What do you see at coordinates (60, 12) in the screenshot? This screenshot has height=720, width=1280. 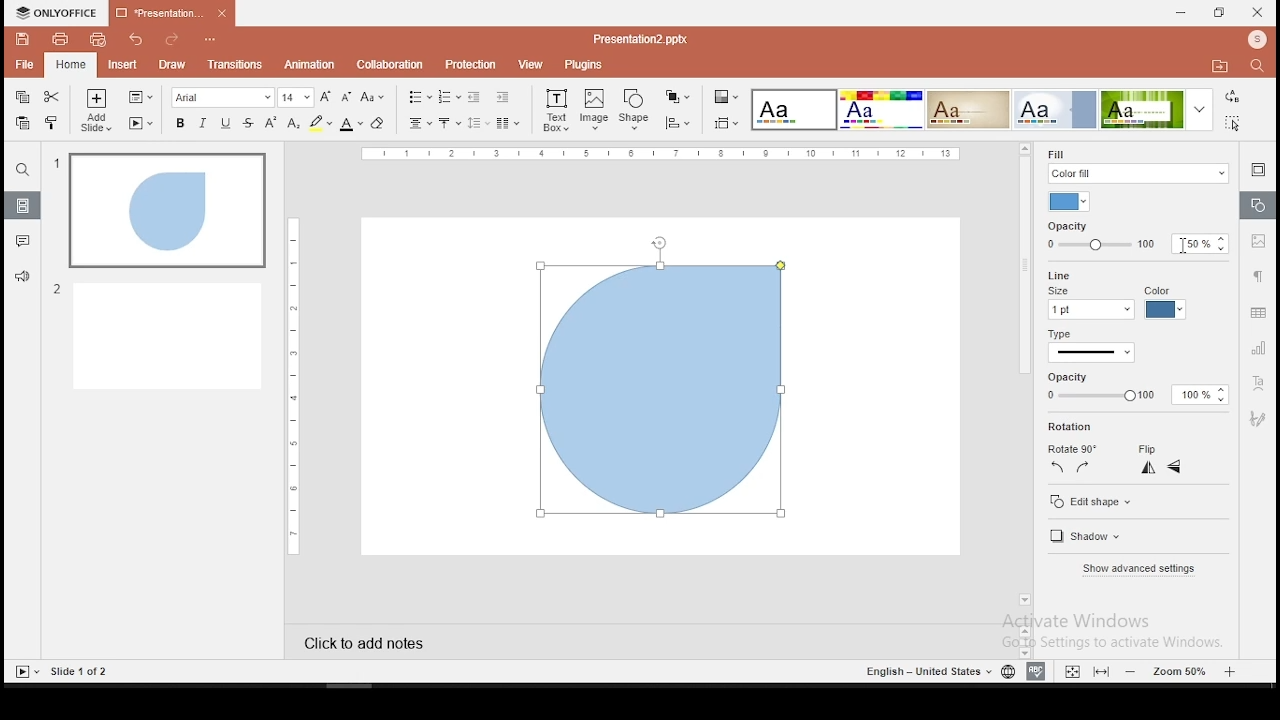 I see `icon` at bounding box center [60, 12].